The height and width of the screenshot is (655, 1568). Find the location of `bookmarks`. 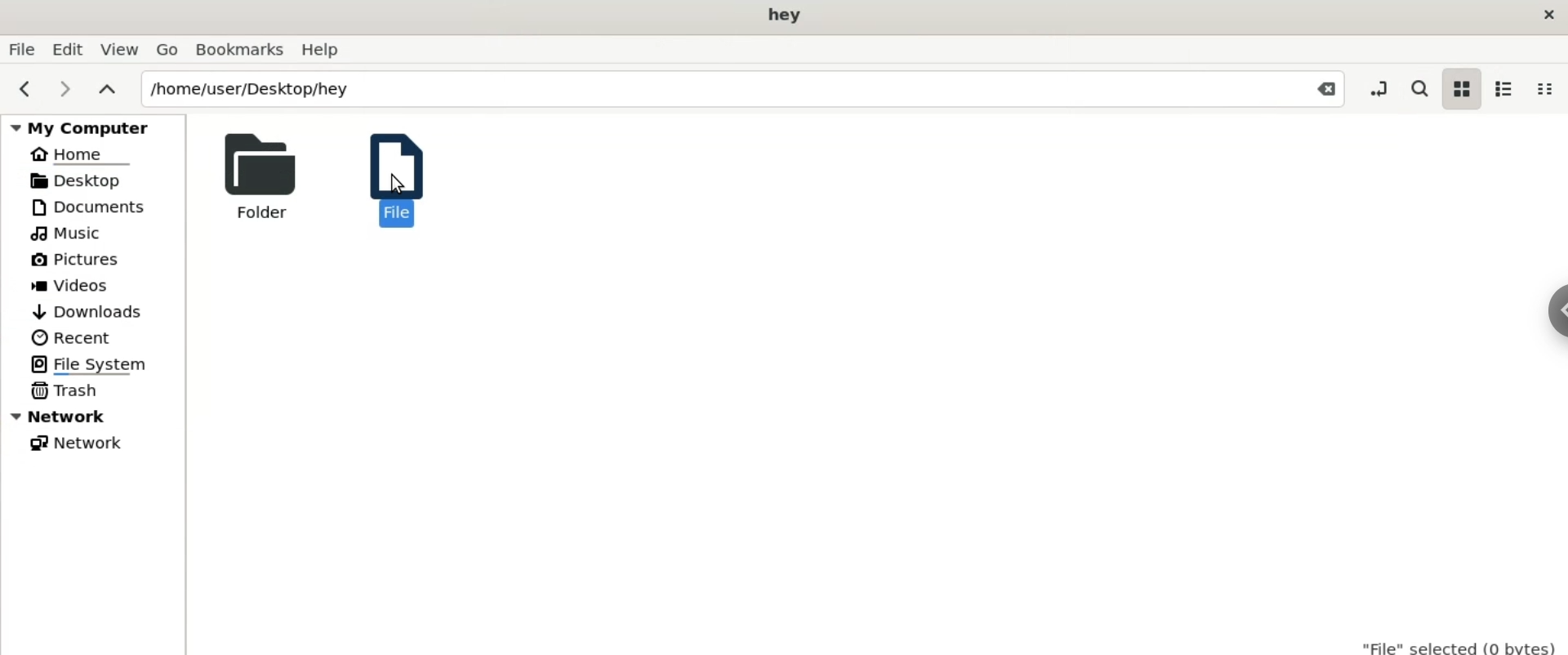

bookmarks is located at coordinates (241, 50).